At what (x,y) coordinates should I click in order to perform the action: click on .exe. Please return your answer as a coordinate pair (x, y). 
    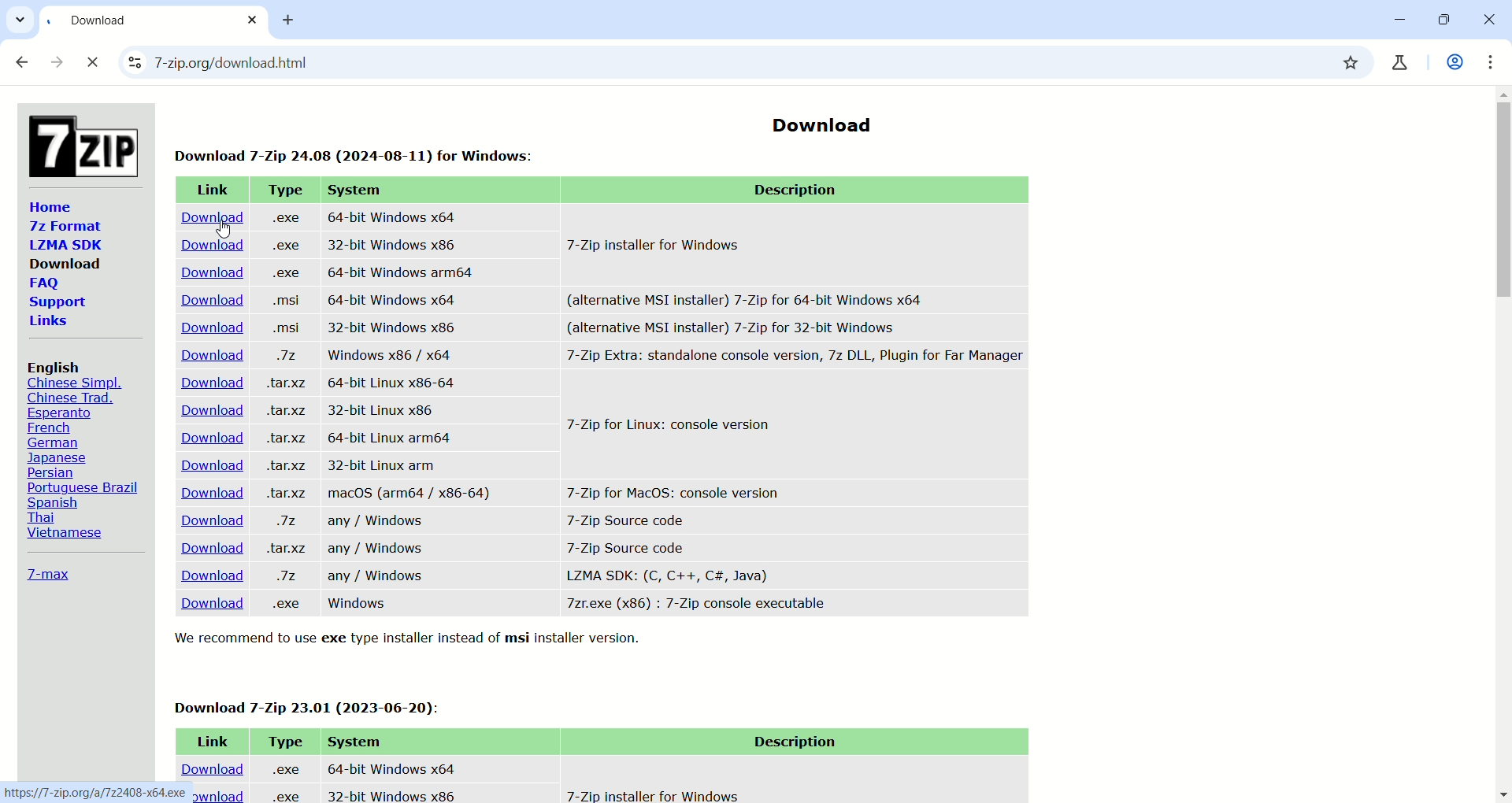
    Looking at the image, I should click on (284, 603).